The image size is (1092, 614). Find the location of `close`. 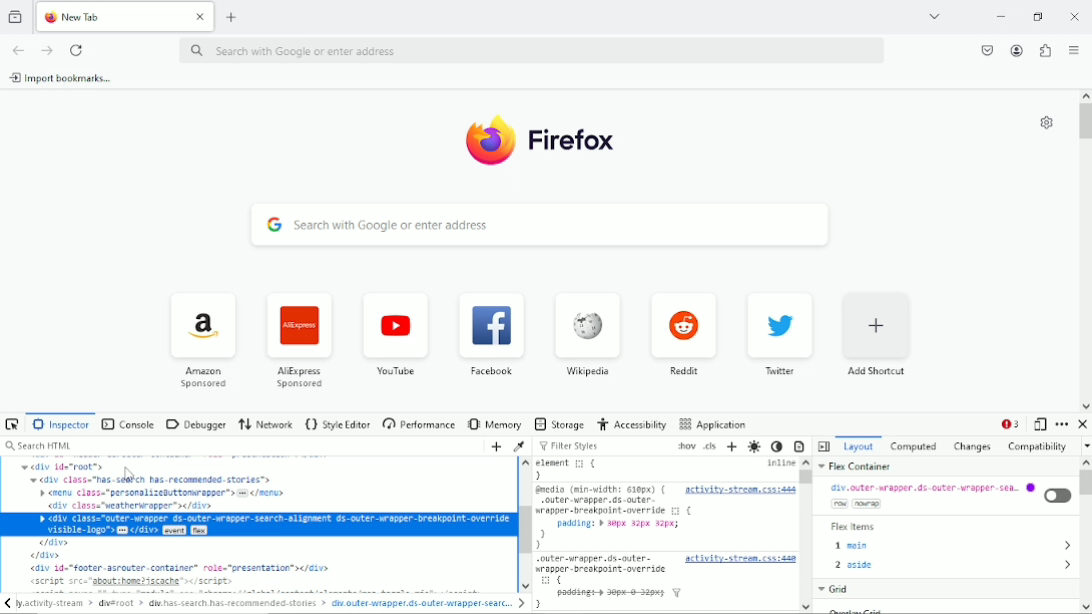

close is located at coordinates (1072, 16).